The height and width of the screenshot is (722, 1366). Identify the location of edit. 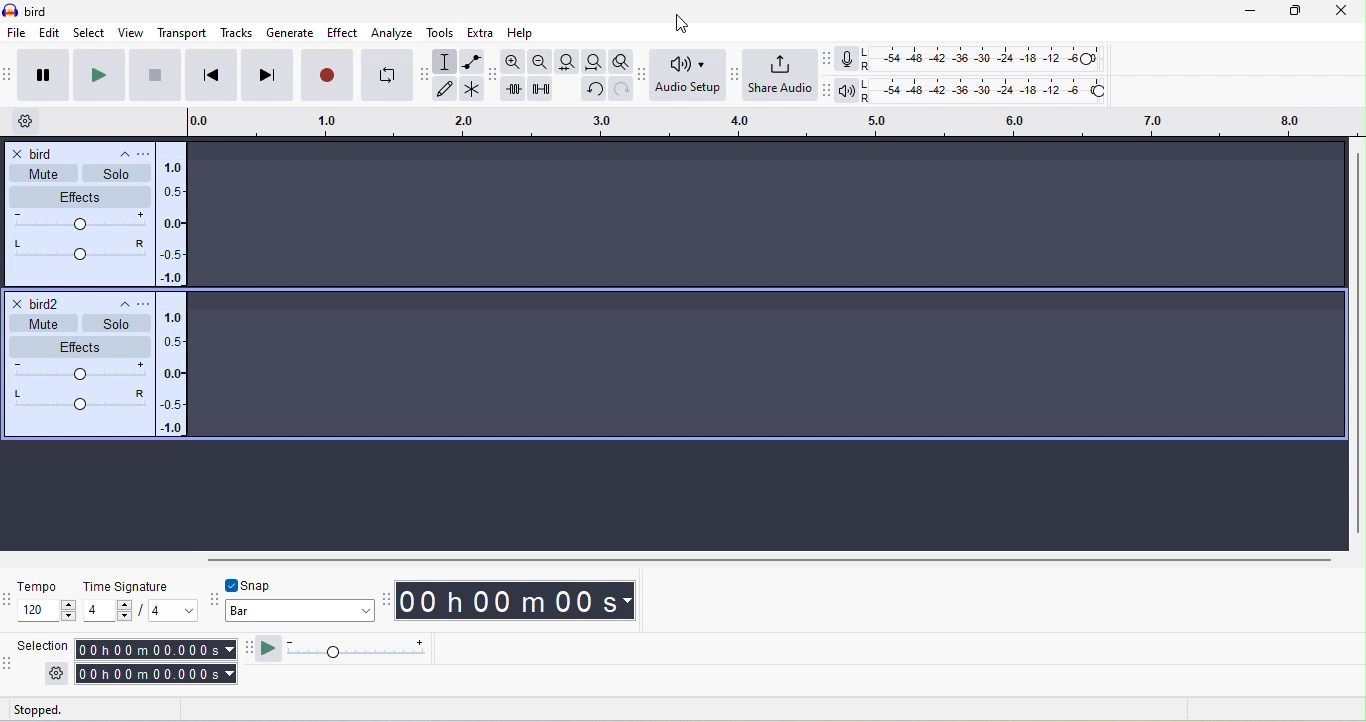
(51, 34).